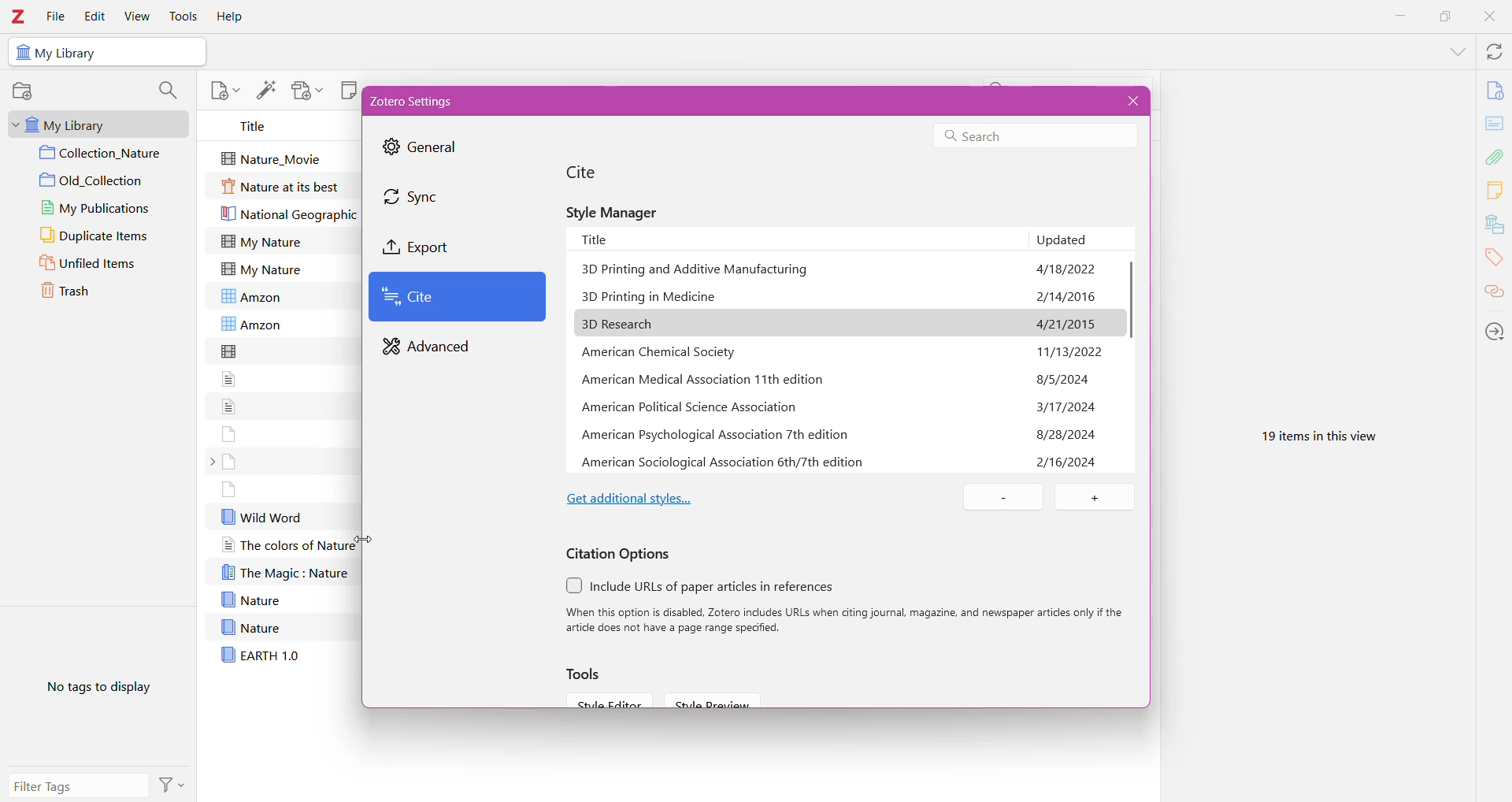  I want to click on Unfiled Items, so click(99, 265).